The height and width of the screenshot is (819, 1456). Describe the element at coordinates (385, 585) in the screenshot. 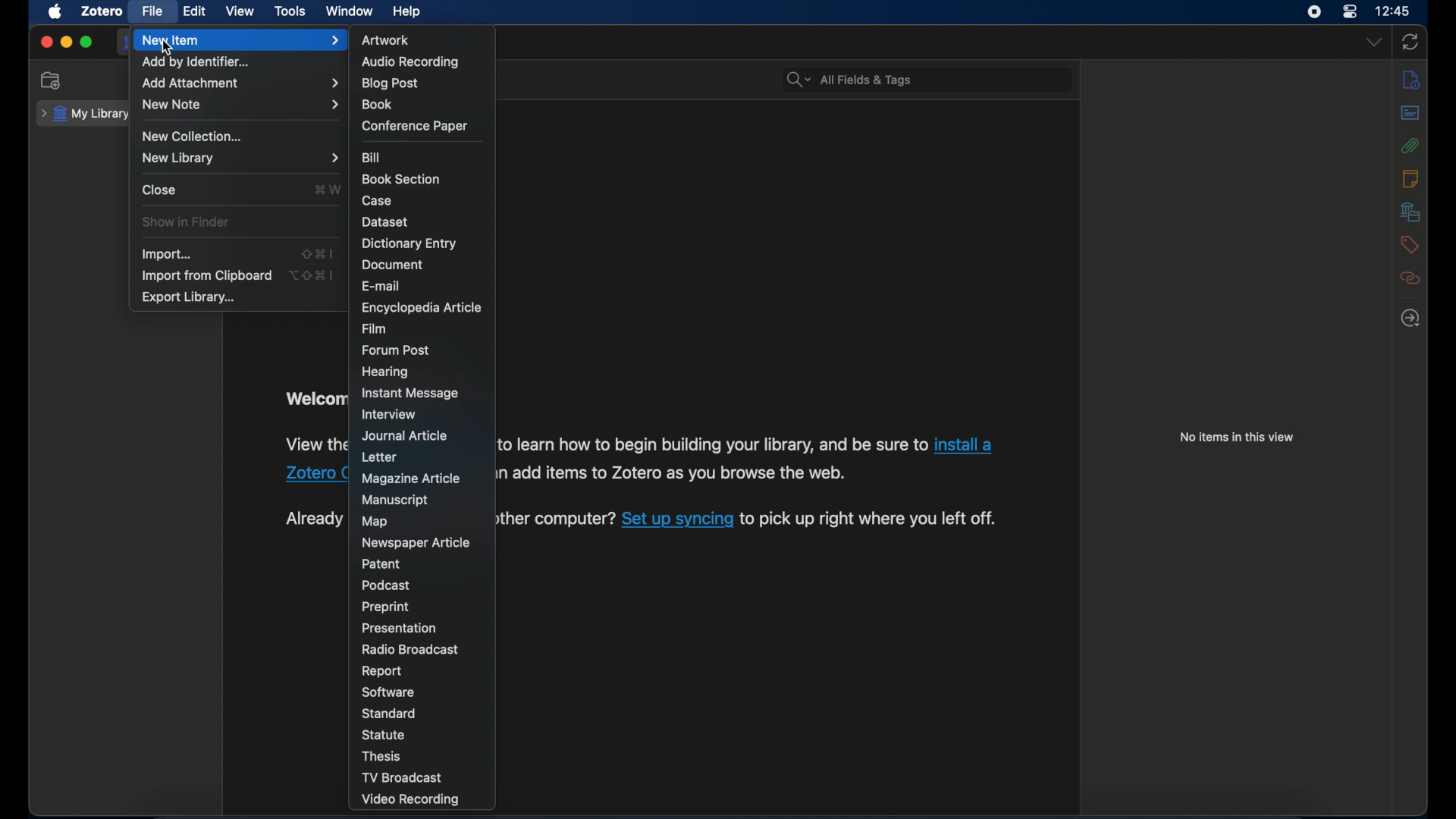

I see `podcast` at that location.